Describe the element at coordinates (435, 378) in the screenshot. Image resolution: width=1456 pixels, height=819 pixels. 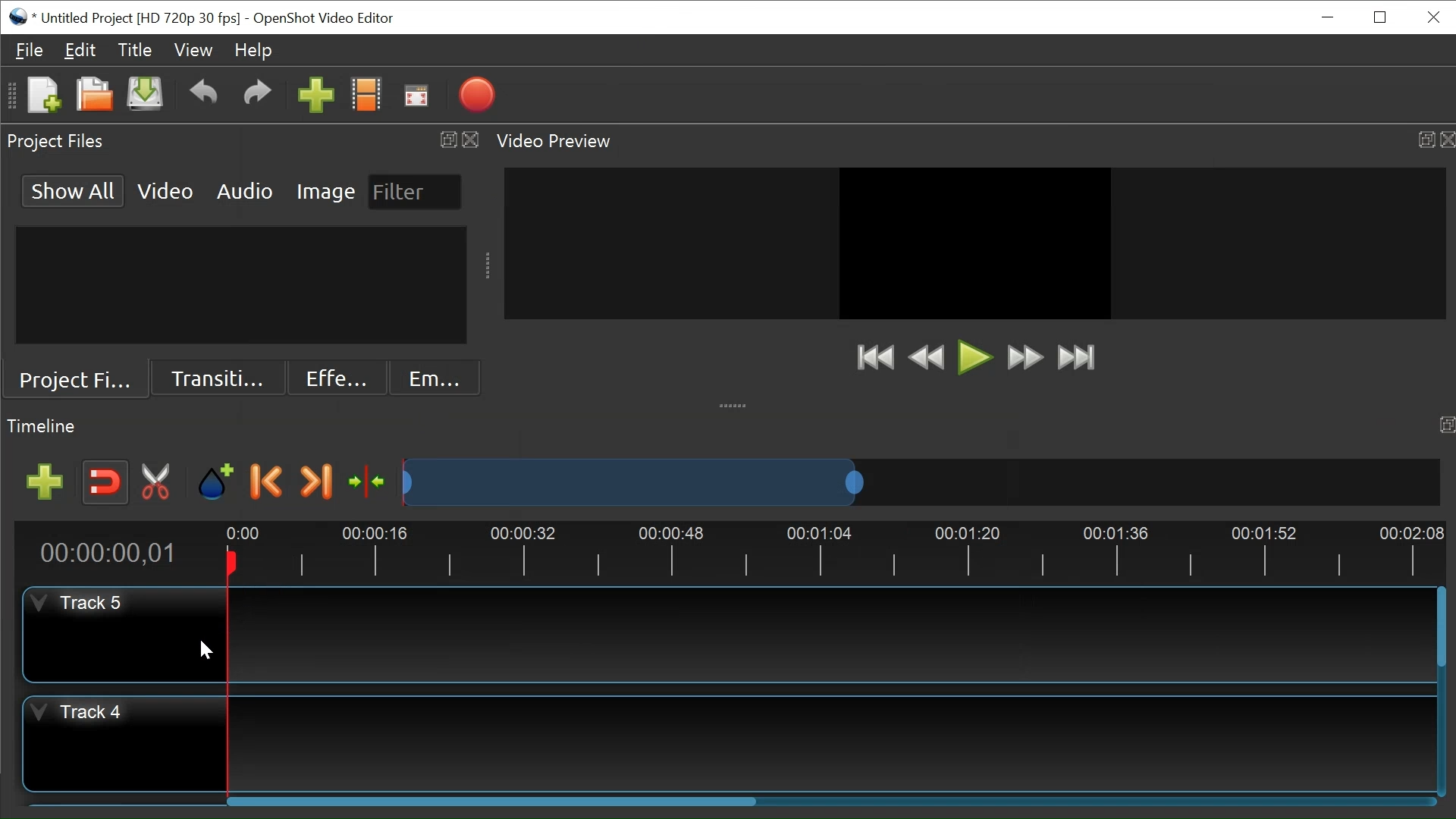
I see `Emoji` at that location.